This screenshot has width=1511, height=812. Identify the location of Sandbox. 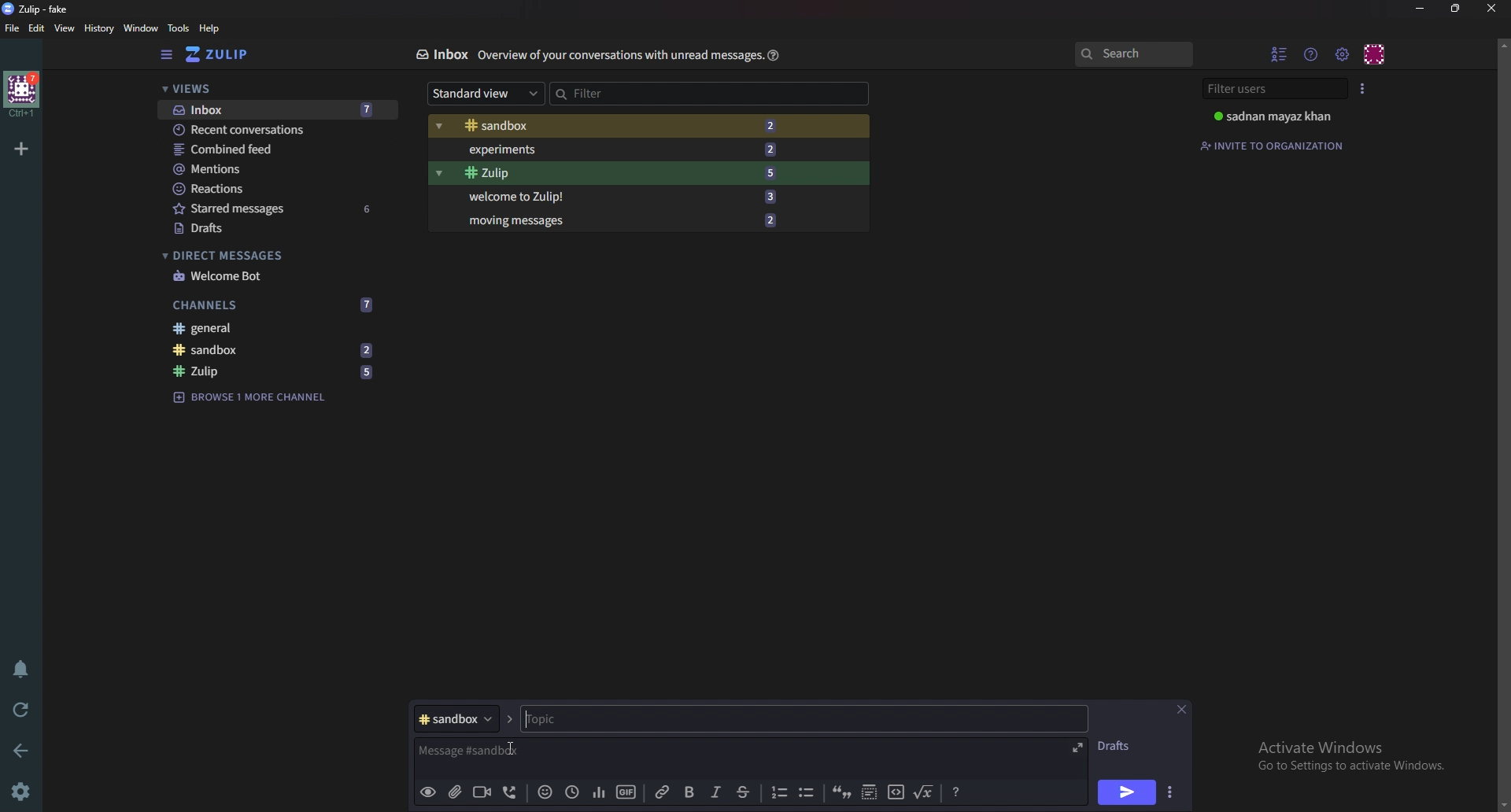
(273, 349).